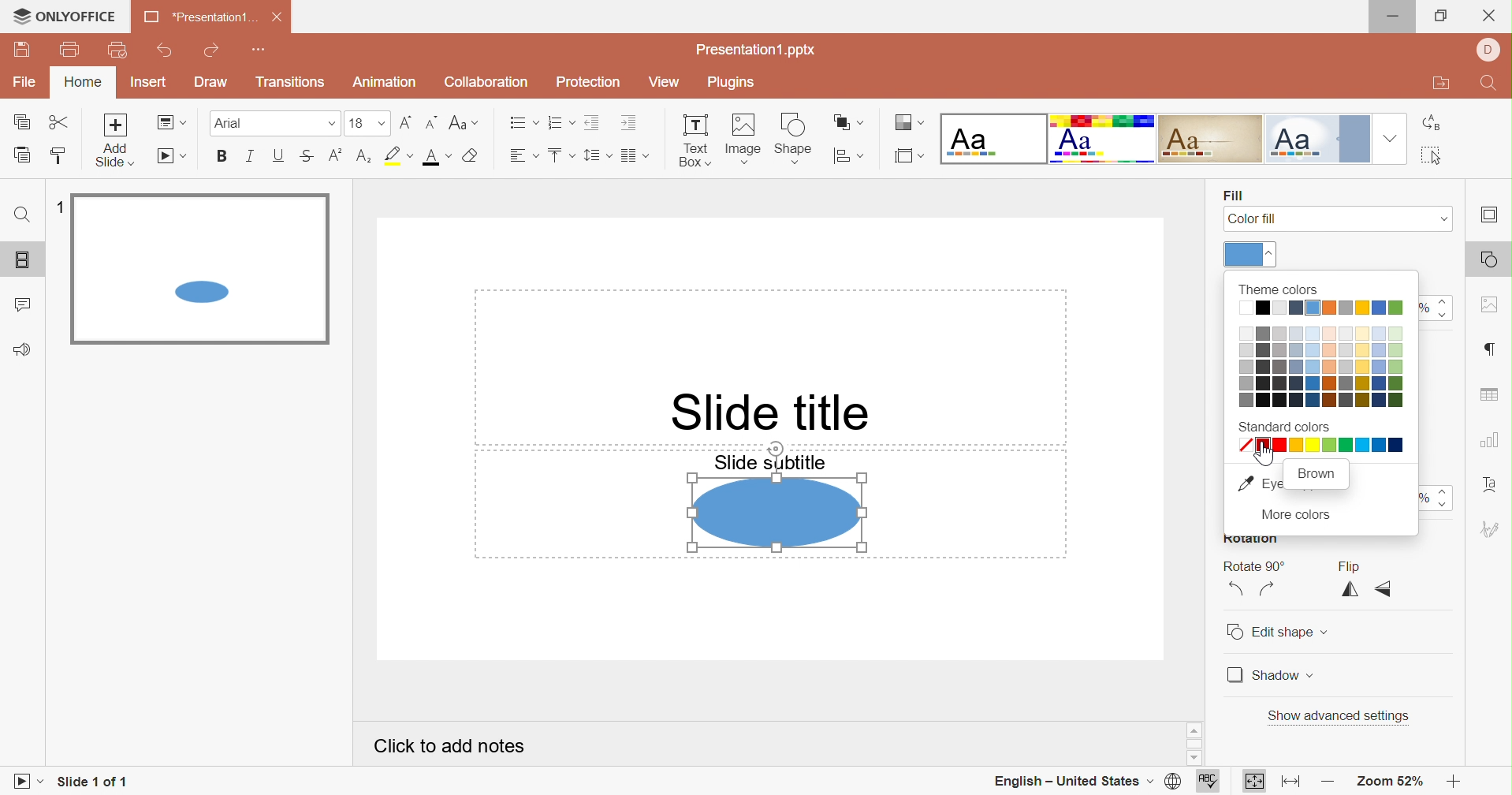 Image resolution: width=1512 pixels, height=795 pixels. Describe the element at coordinates (1255, 782) in the screenshot. I see `Fit to slide` at that location.